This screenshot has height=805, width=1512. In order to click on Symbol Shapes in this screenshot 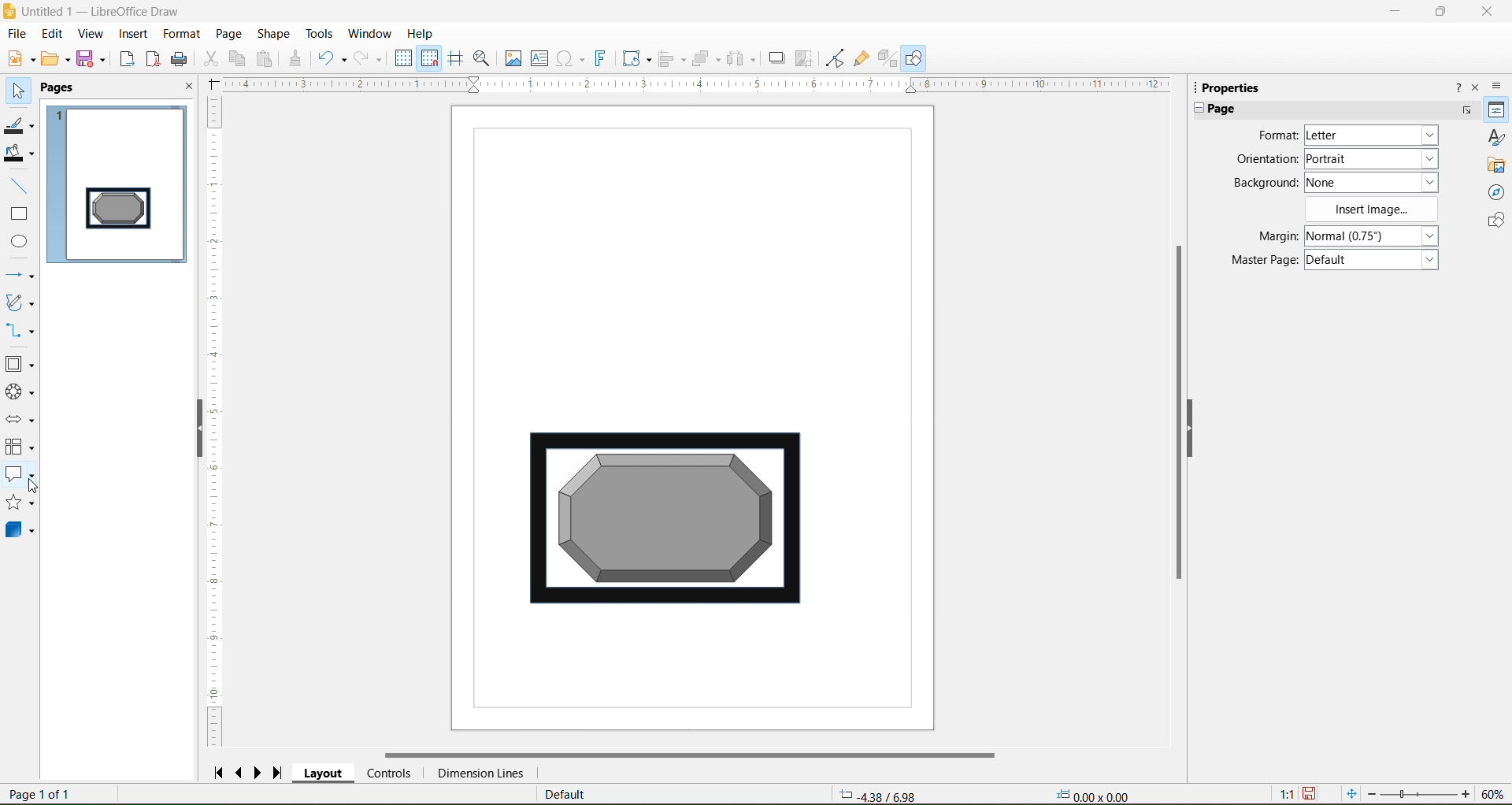, I will do `click(20, 393)`.